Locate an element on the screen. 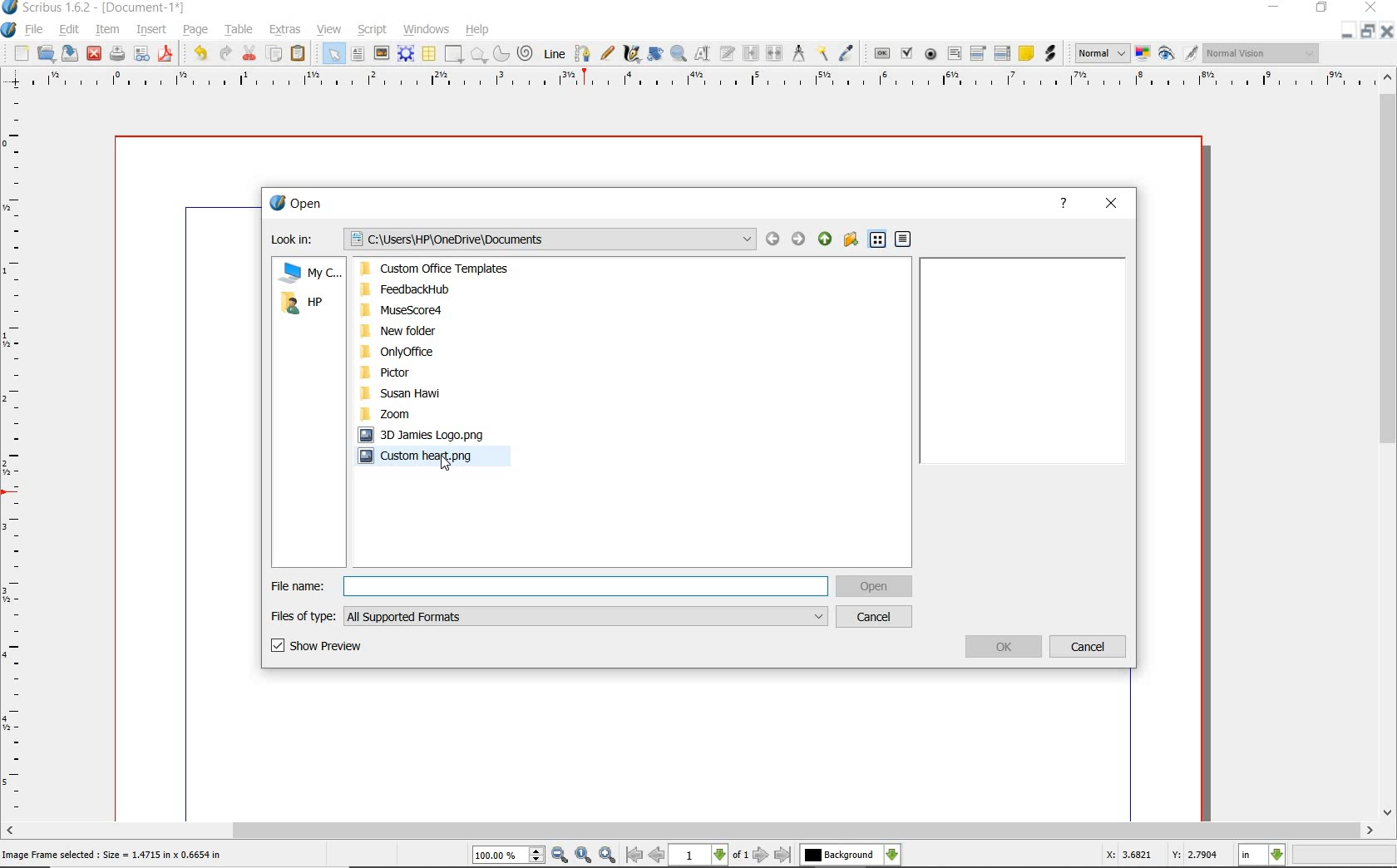 This screenshot has width=1397, height=868. select current zoom level is located at coordinates (508, 856).